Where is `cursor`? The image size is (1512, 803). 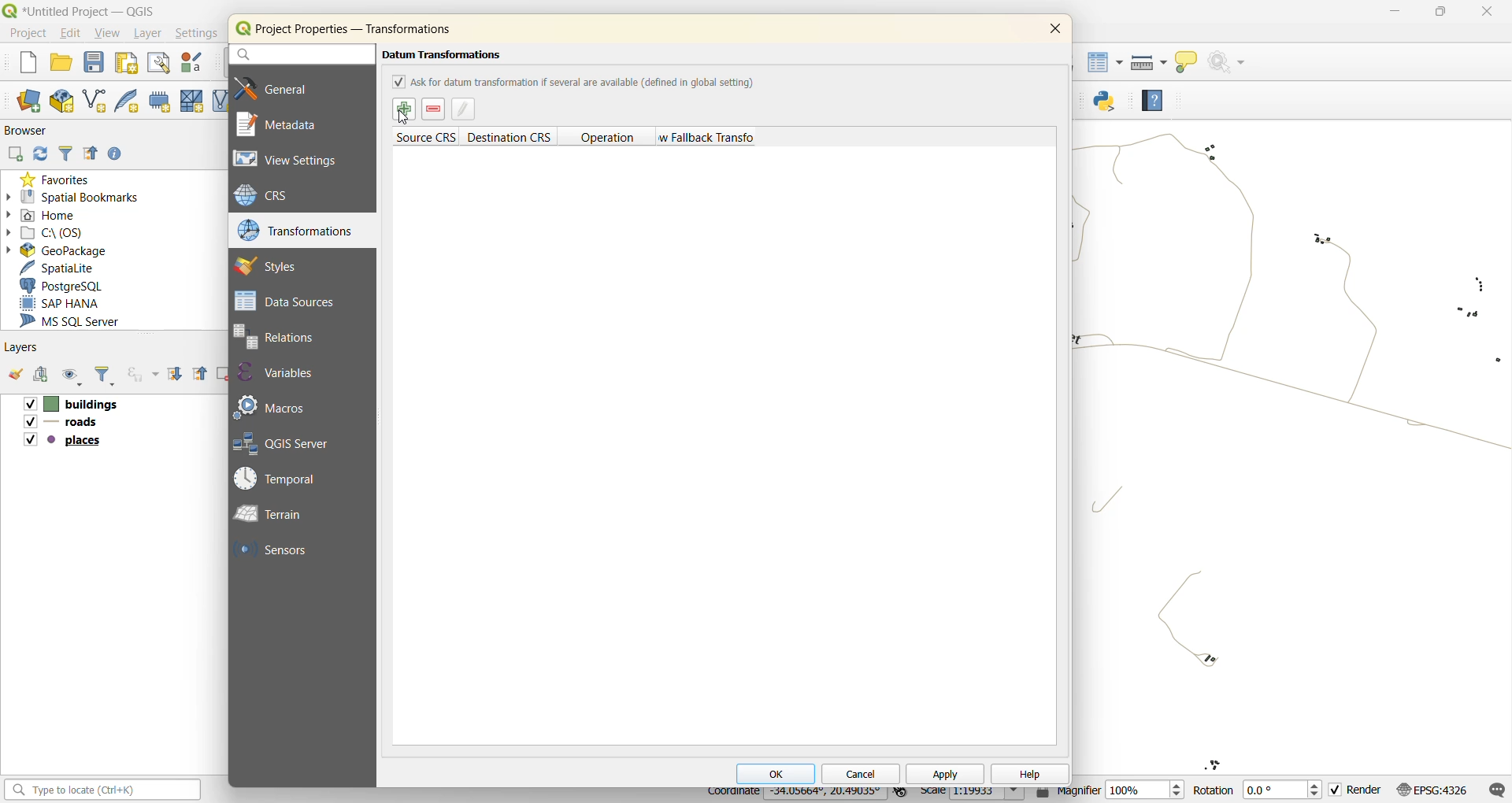
cursor is located at coordinates (404, 118).